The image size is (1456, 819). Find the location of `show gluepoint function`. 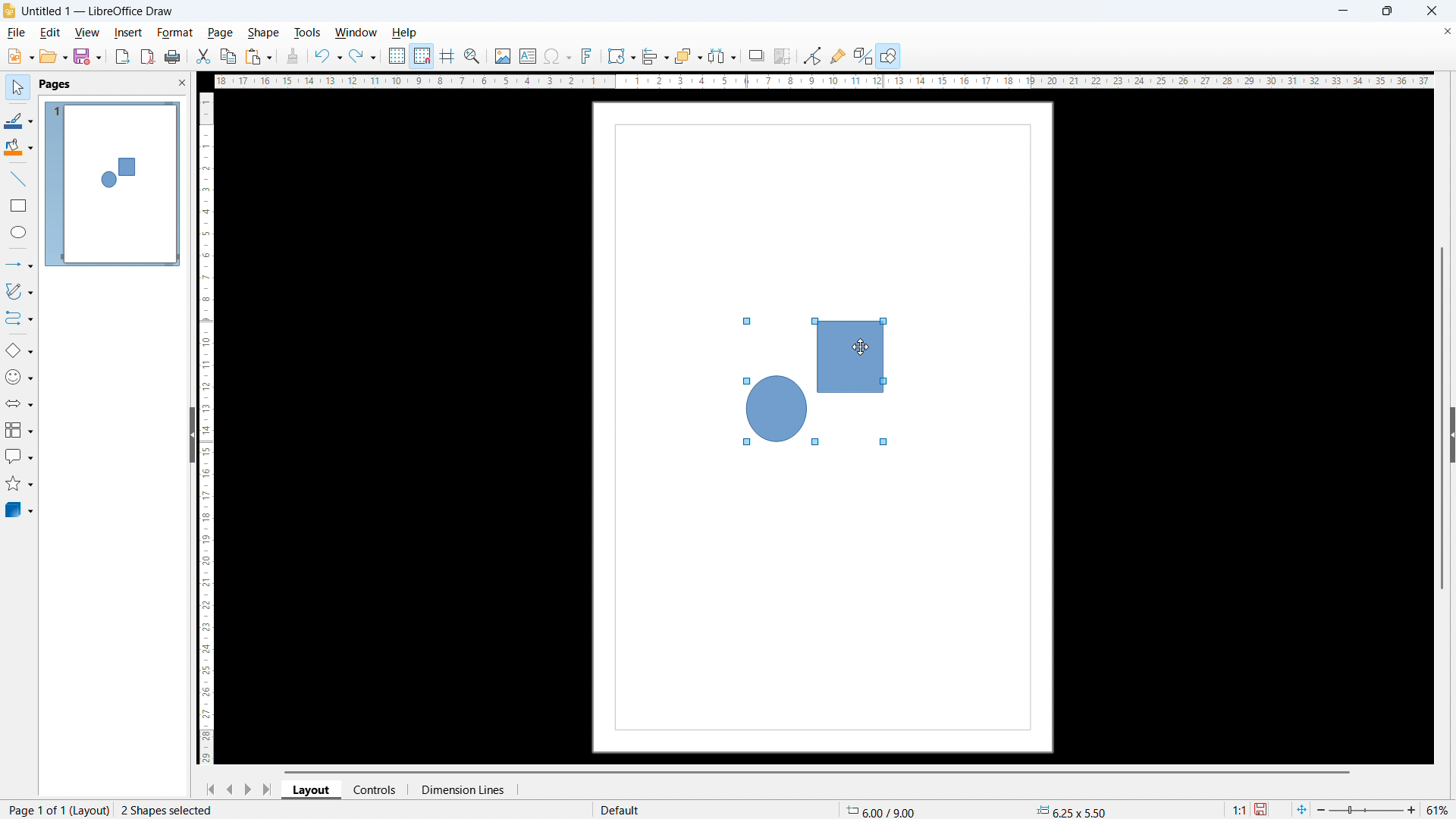

show gluepoint function is located at coordinates (839, 55).